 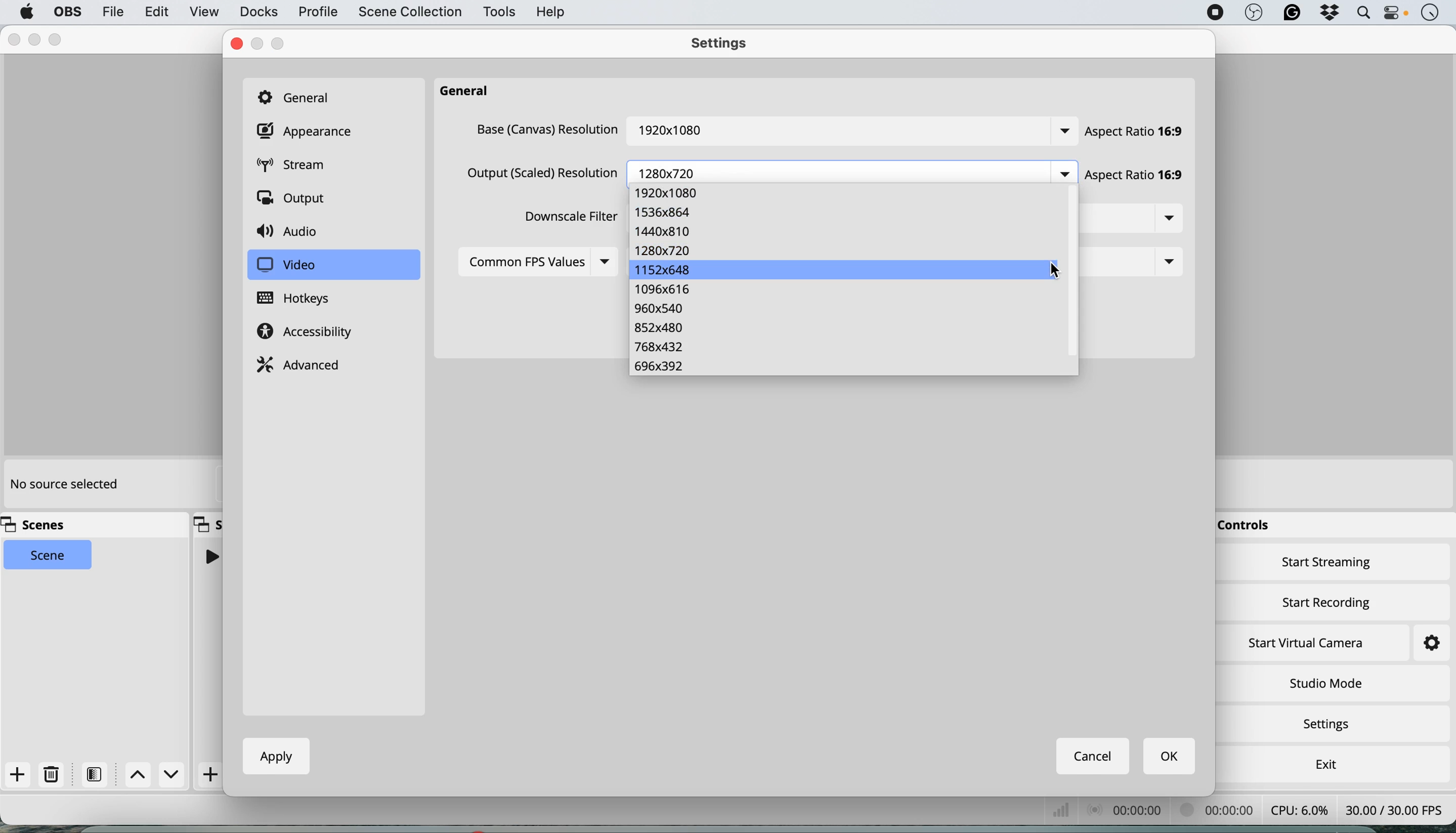 I want to click on Add Scene , so click(x=212, y=775).